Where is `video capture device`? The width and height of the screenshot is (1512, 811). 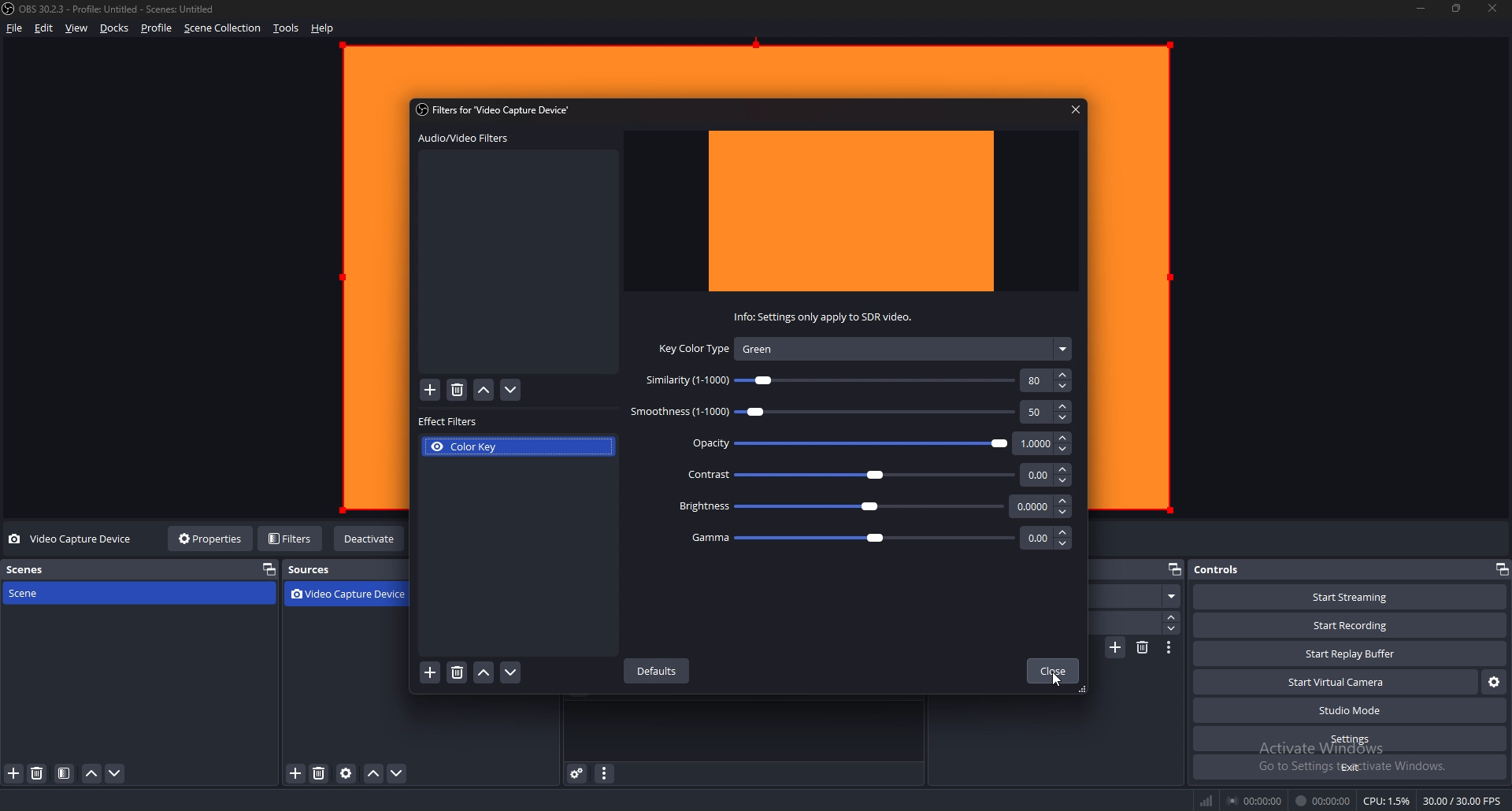 video capture device is located at coordinates (72, 539).